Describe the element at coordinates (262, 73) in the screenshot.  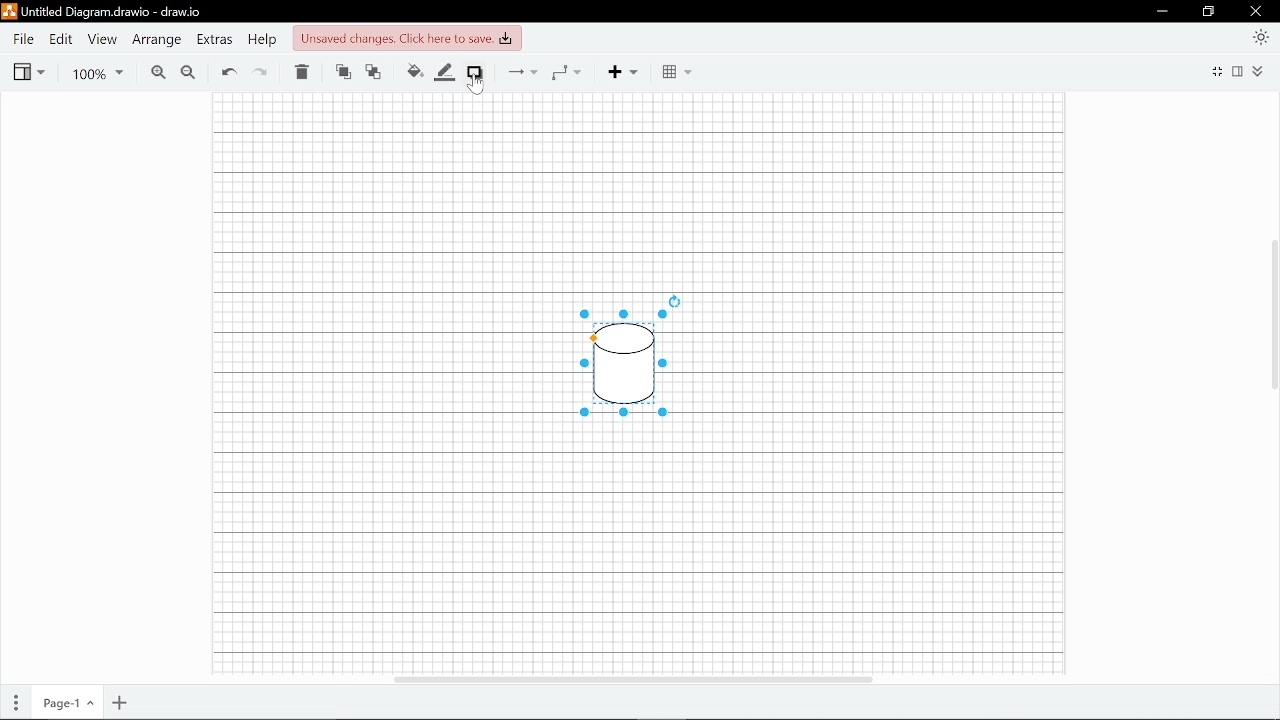
I see `Redo` at that location.